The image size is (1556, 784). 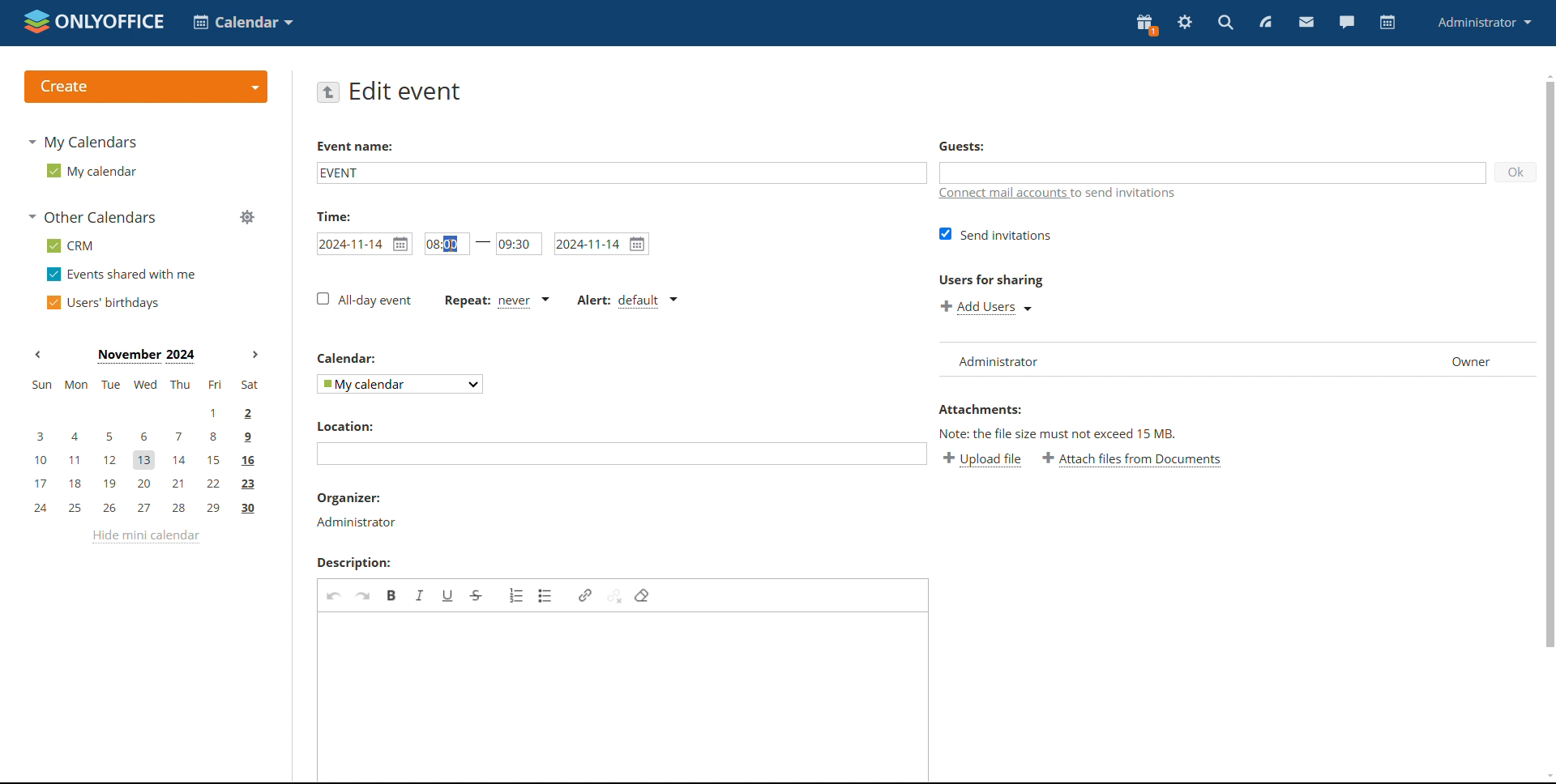 I want to click on editing starting time, so click(x=448, y=245).